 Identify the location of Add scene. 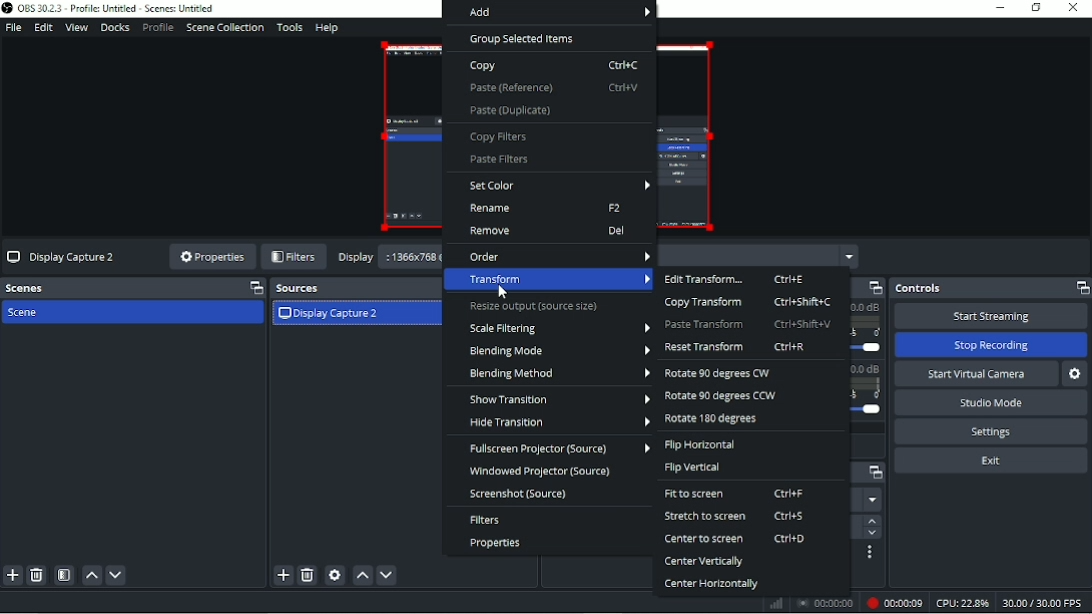
(12, 576).